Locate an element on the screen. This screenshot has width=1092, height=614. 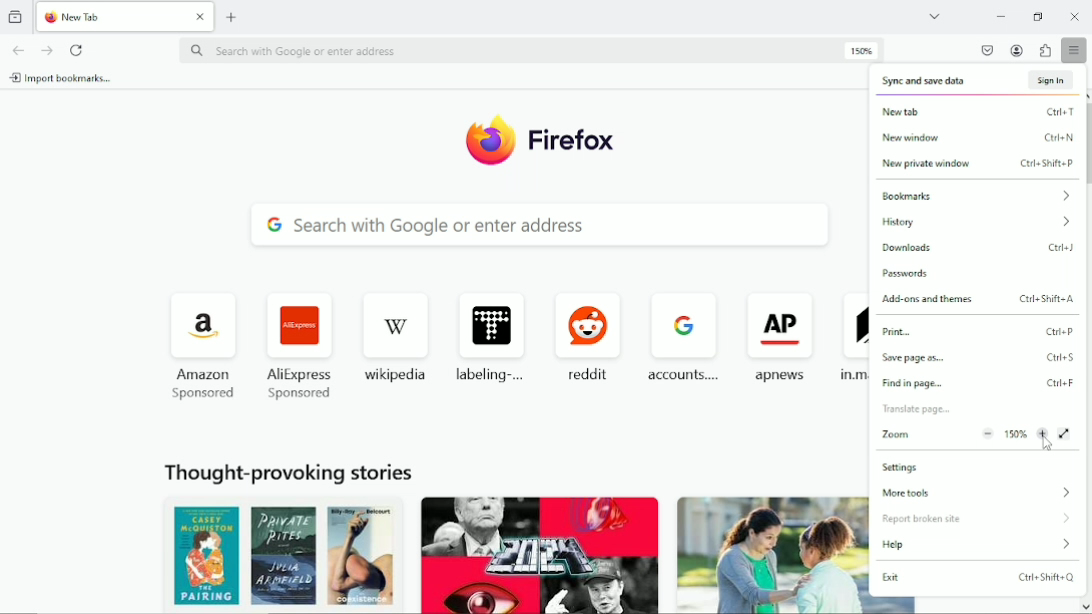
Print is located at coordinates (979, 332).